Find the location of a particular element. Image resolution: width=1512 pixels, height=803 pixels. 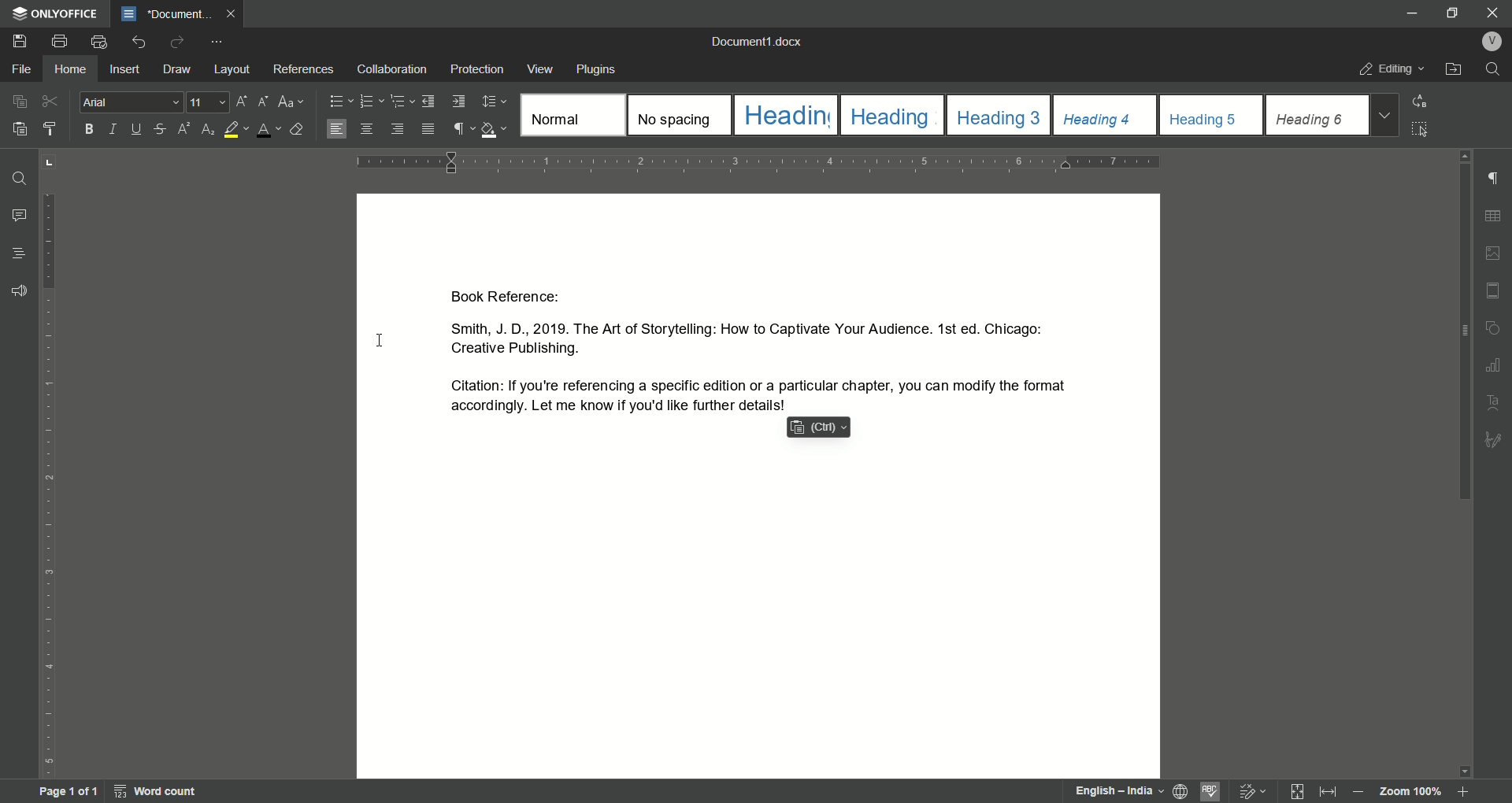

paste is located at coordinates (21, 128).